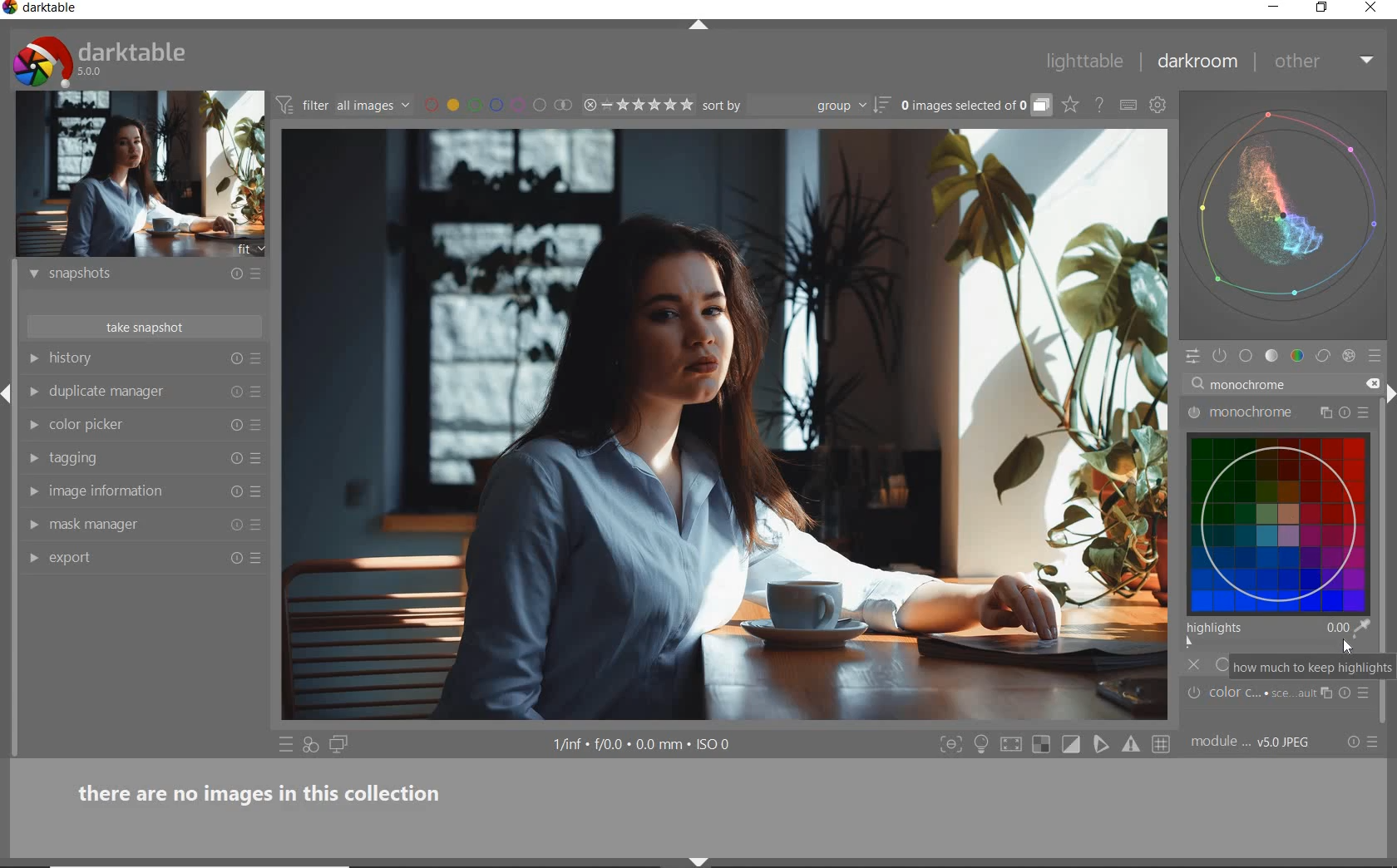 Image resolution: width=1397 pixels, height=868 pixels. What do you see at coordinates (31, 459) in the screenshot?
I see `show module` at bounding box center [31, 459].